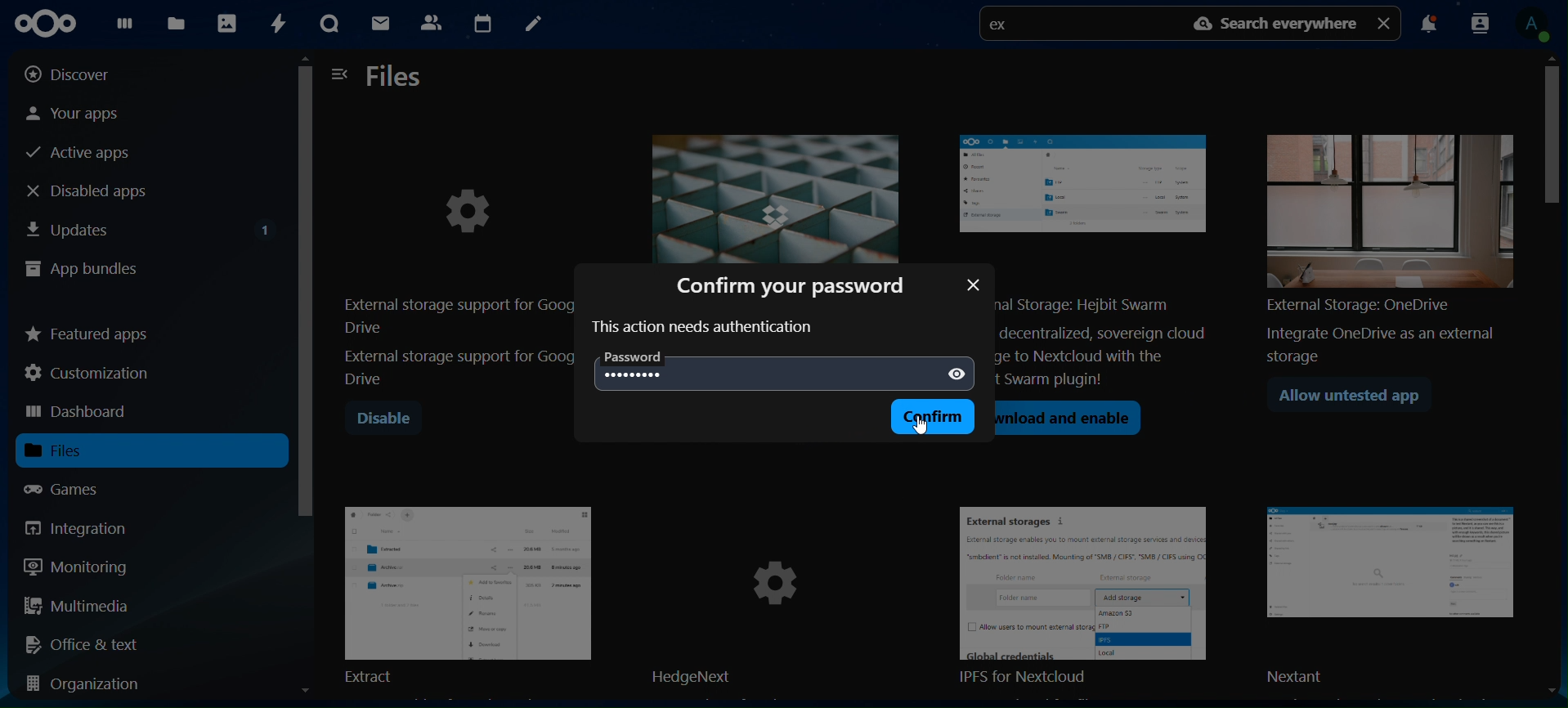  Describe the element at coordinates (1396, 597) in the screenshot. I see `Nextant` at that location.